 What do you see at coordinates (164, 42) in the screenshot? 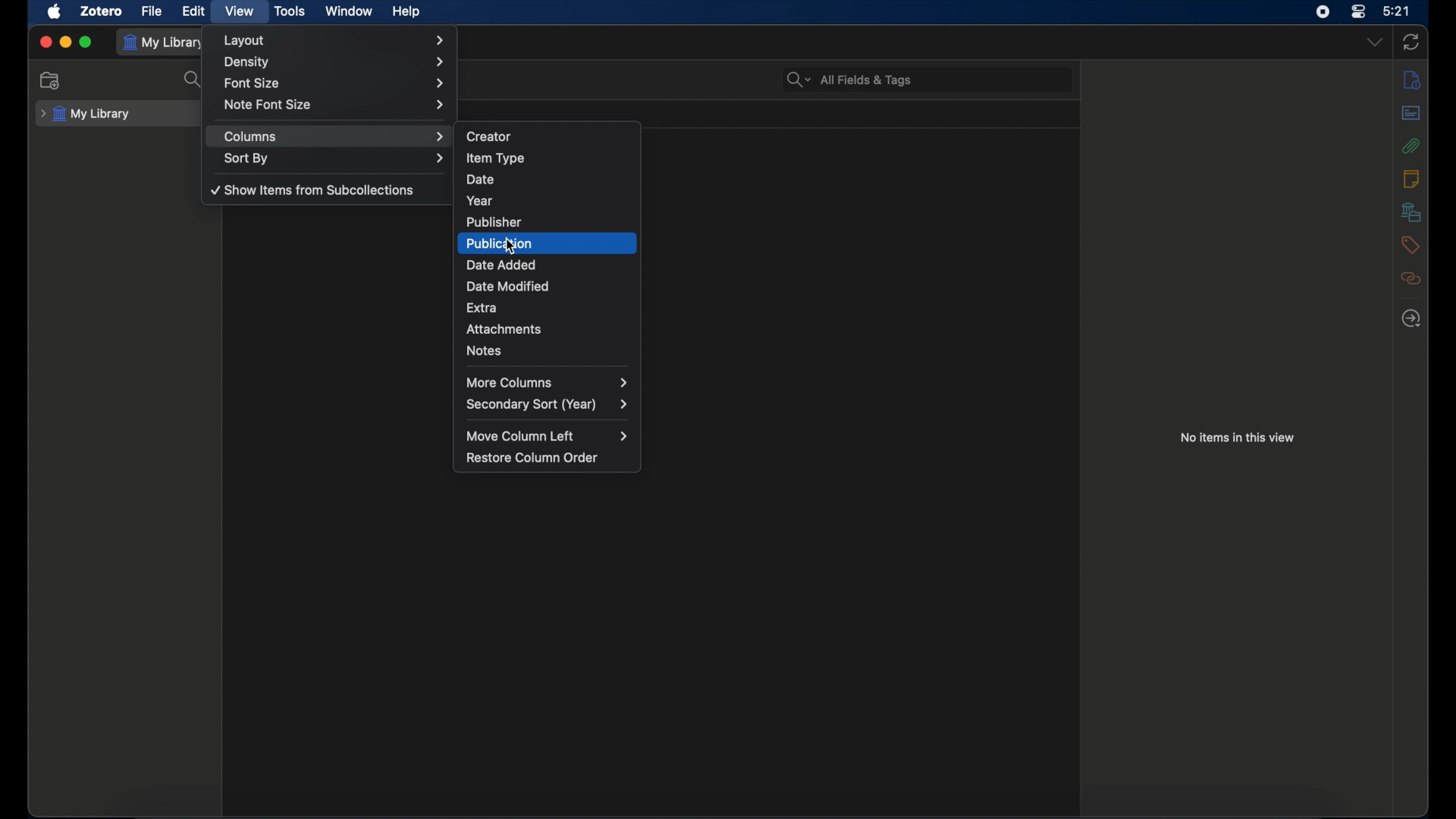
I see `my library` at bounding box center [164, 42].